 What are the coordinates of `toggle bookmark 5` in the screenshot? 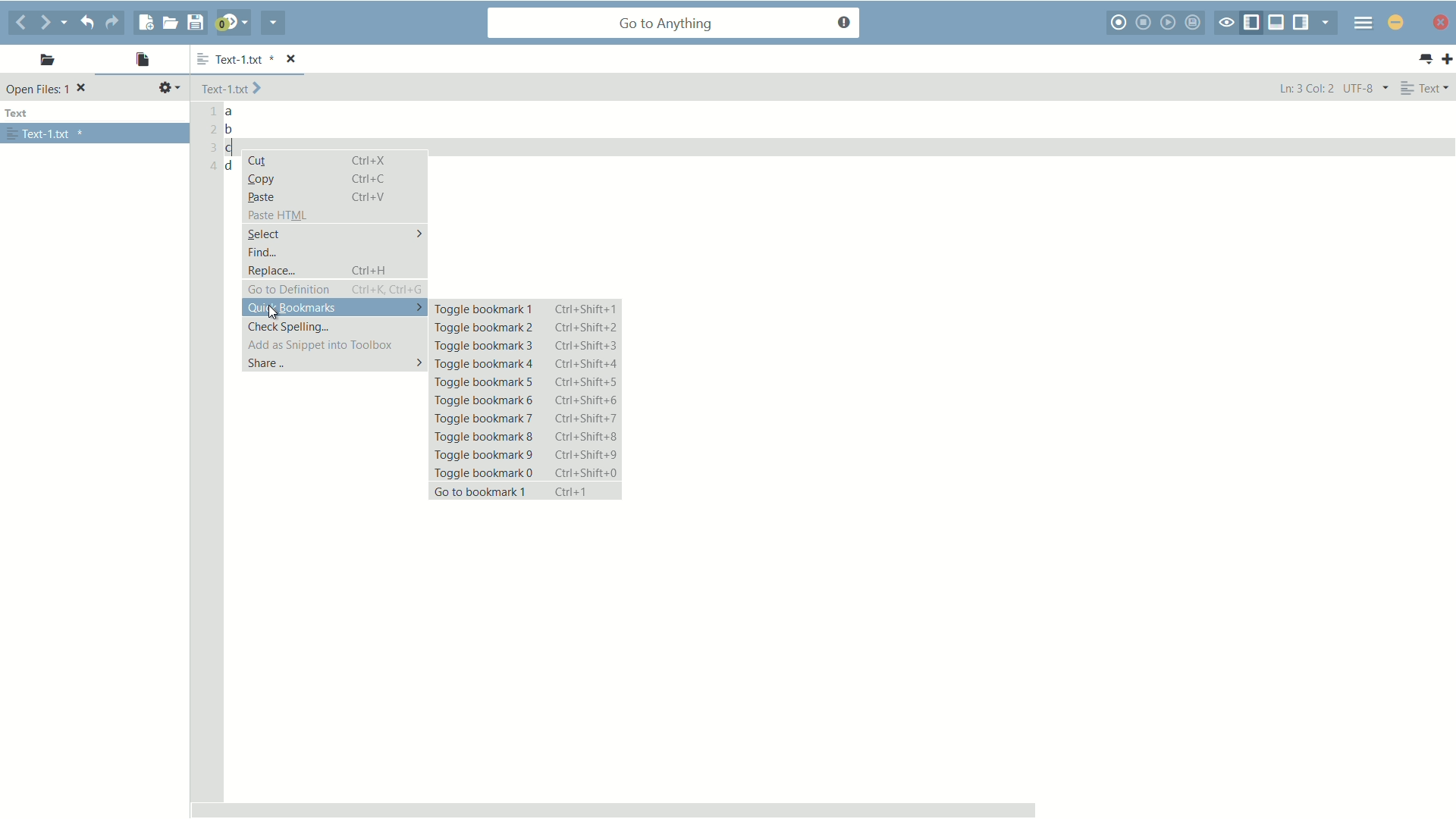 It's located at (526, 382).